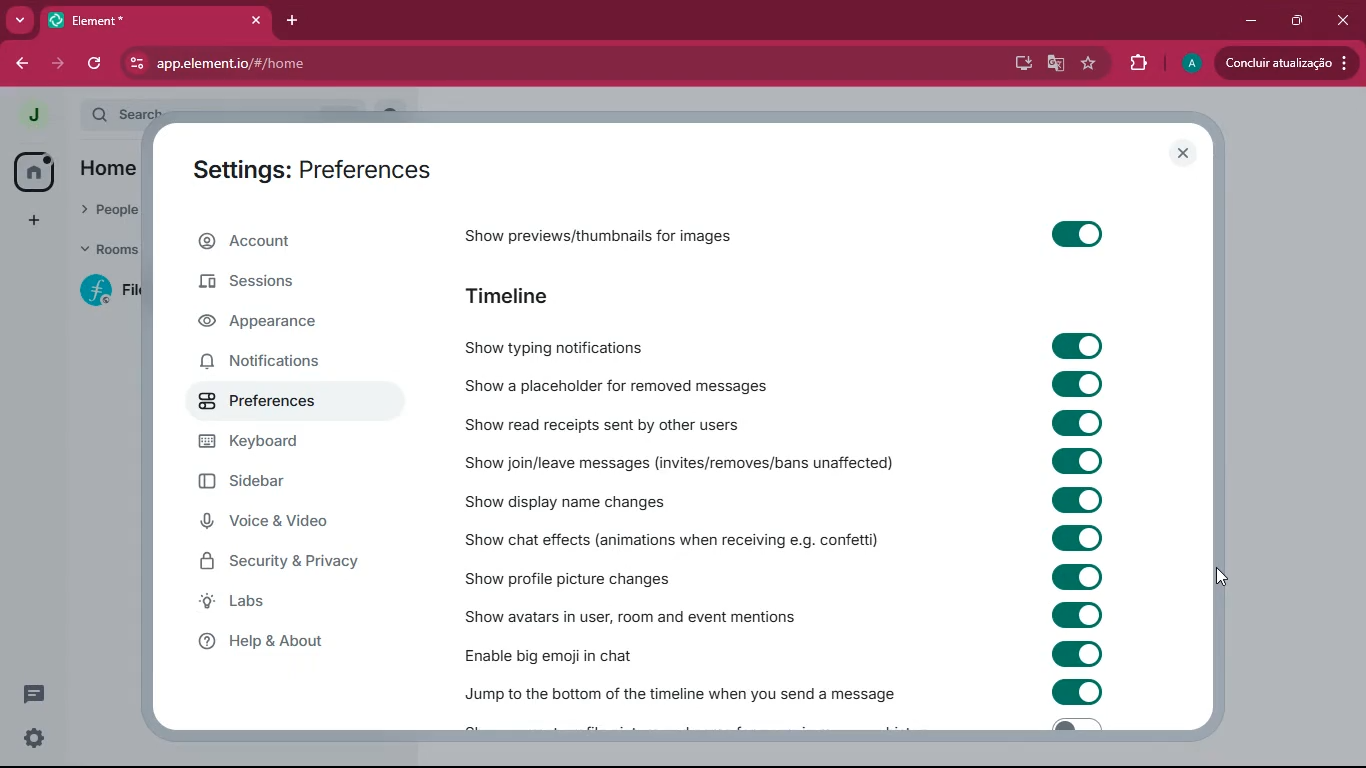  What do you see at coordinates (703, 459) in the screenshot?
I see `show join / leave messages (invites/removes/ban unaffected)` at bounding box center [703, 459].